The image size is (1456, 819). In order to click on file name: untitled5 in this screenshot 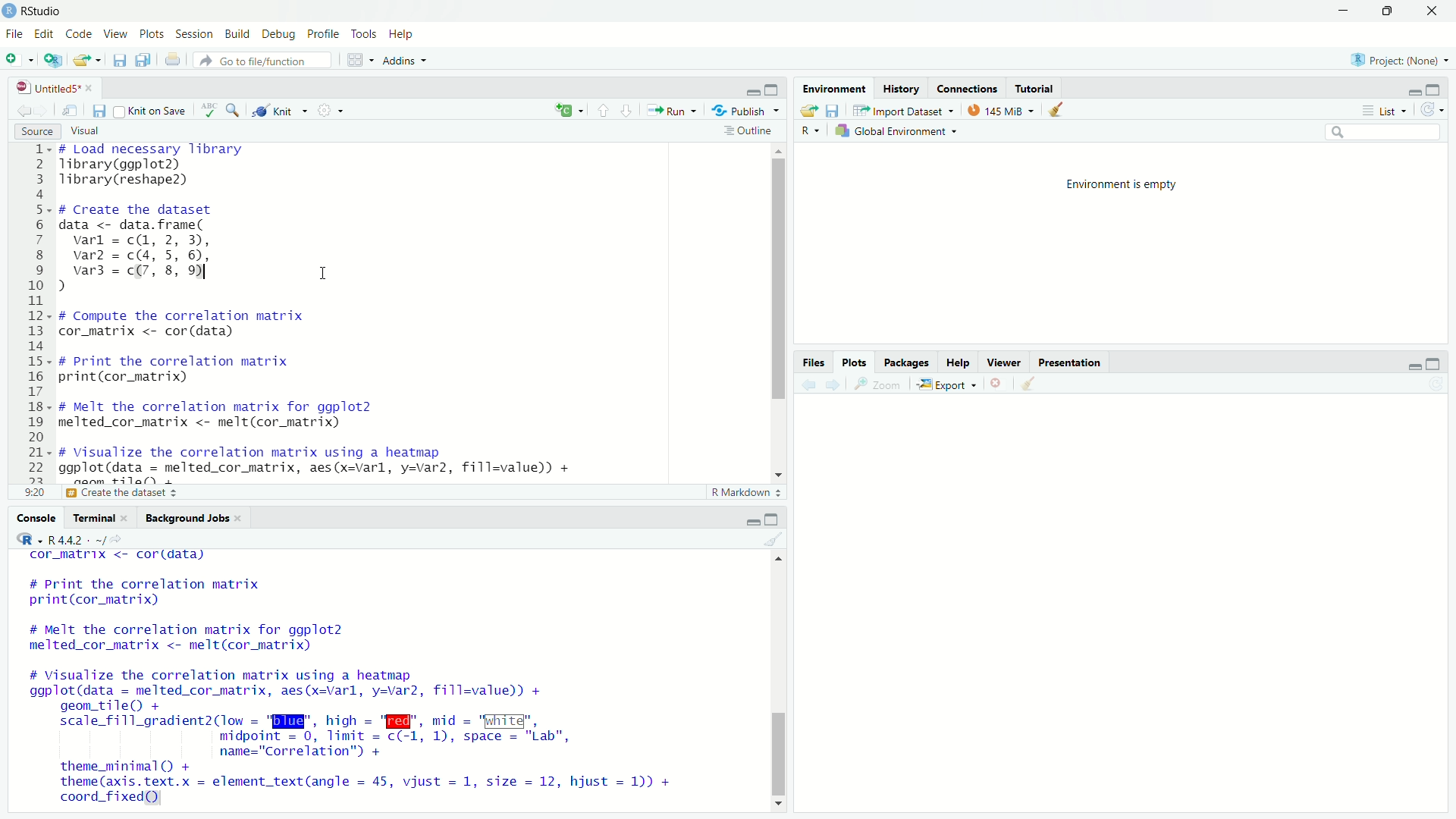, I will do `click(50, 88)`.